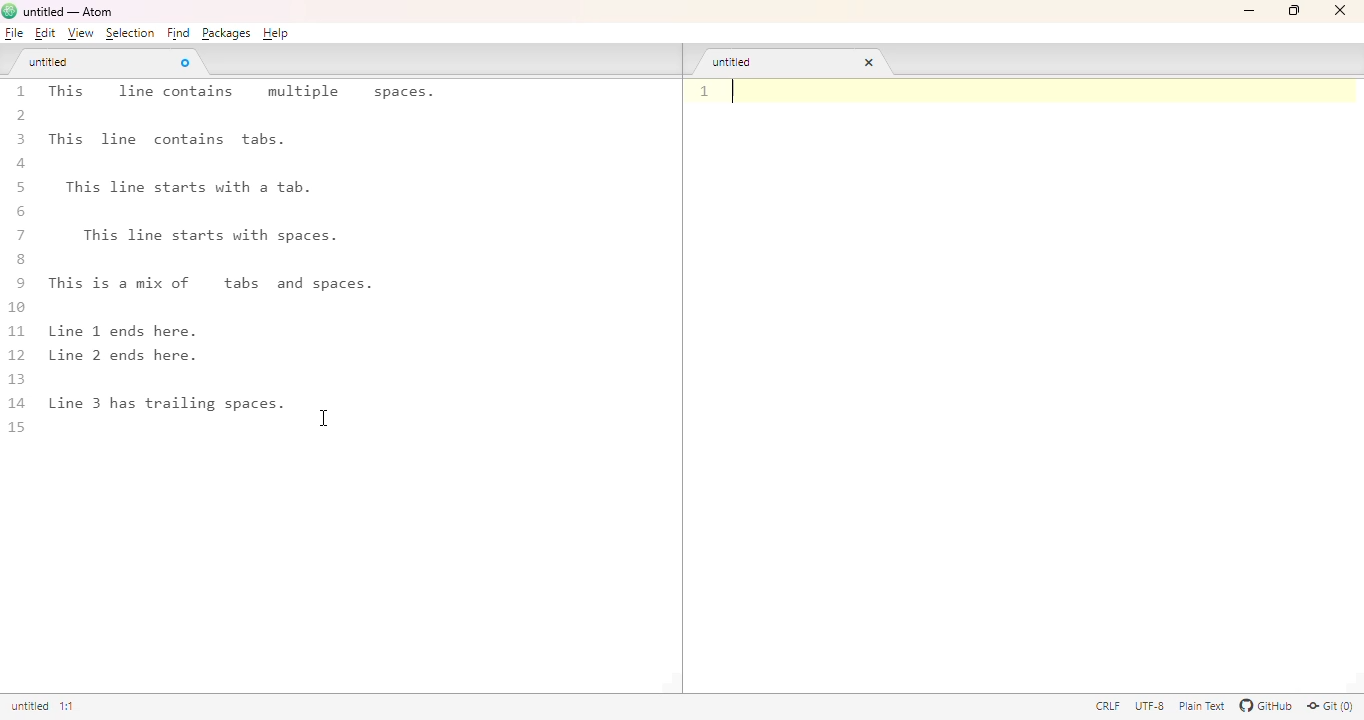 The image size is (1364, 720). What do you see at coordinates (225, 34) in the screenshot?
I see `packages` at bounding box center [225, 34].